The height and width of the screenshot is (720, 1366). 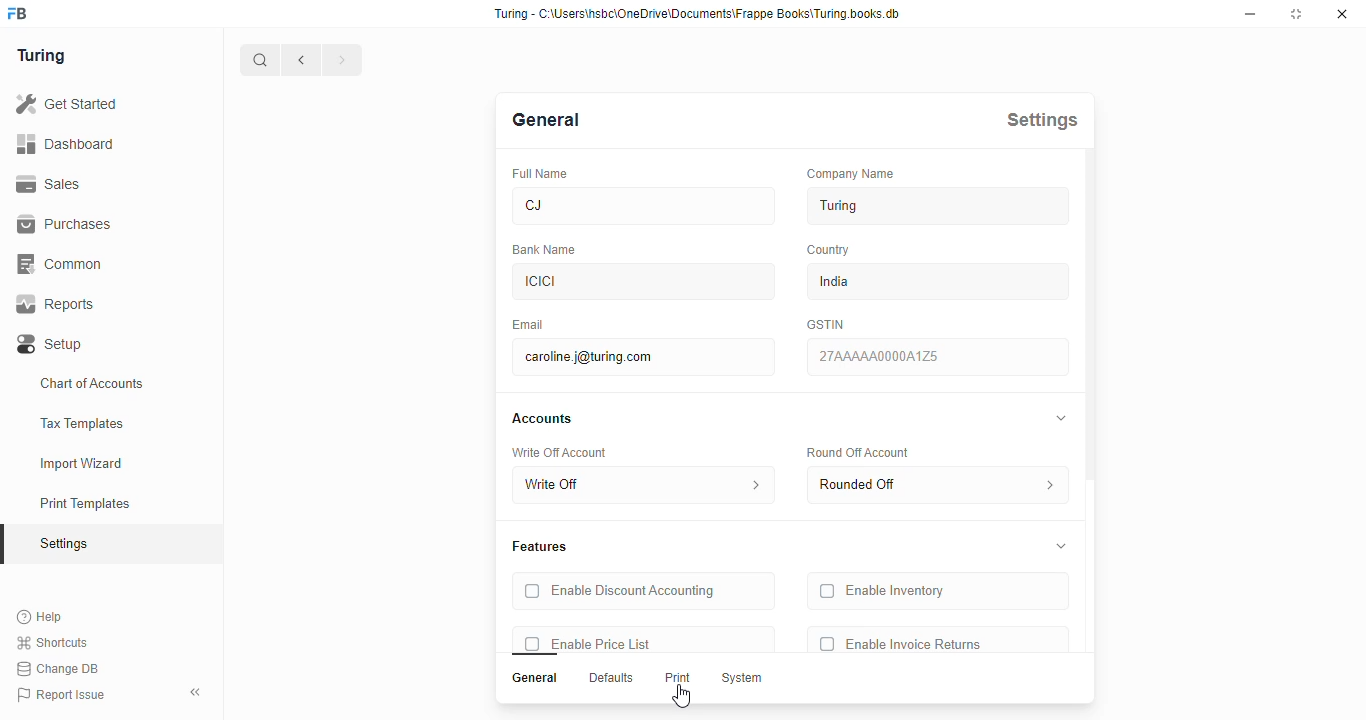 I want to click on Round Off Account, so click(x=859, y=453).